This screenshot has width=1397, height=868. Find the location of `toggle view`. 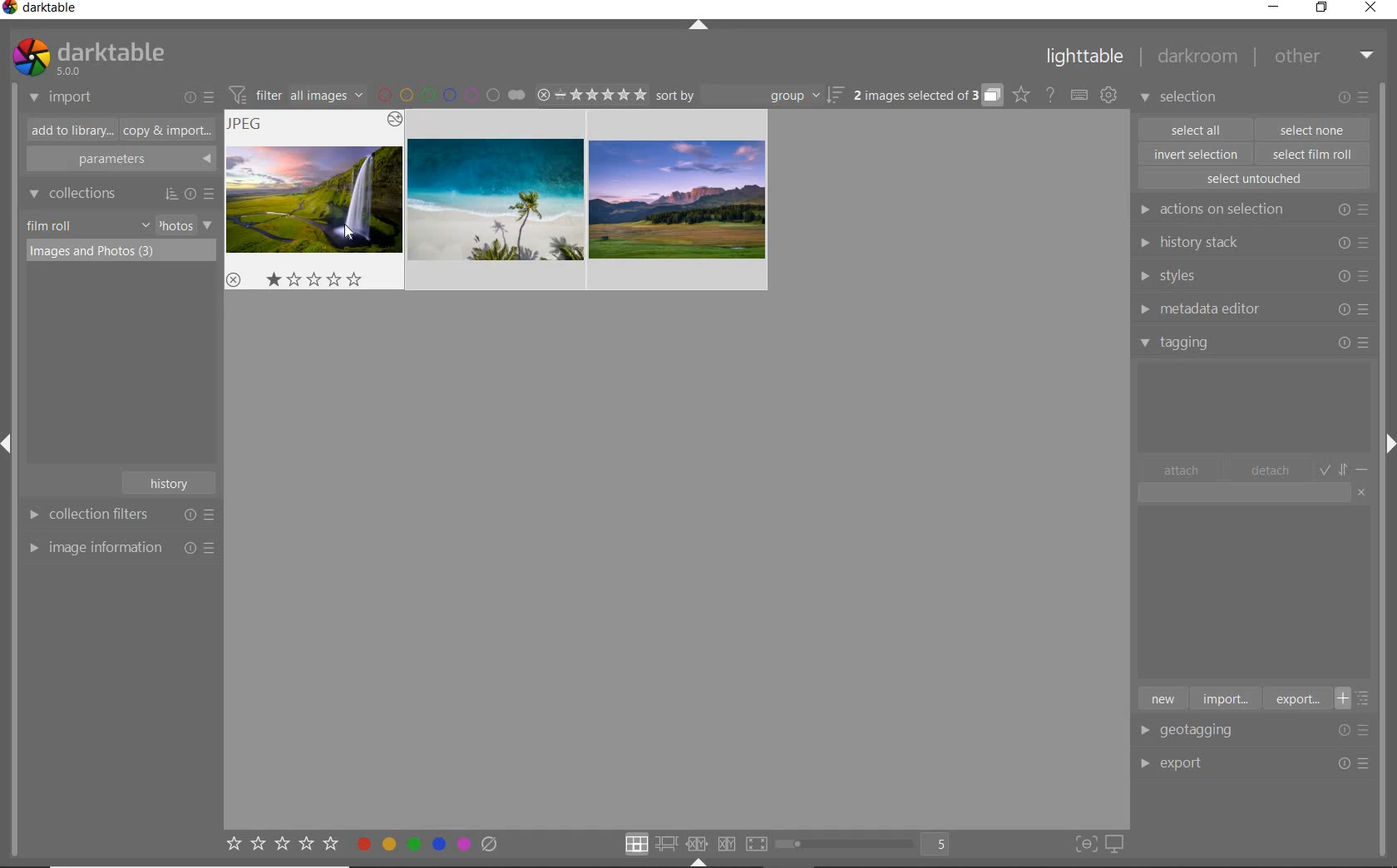

toggle view is located at coordinates (868, 846).